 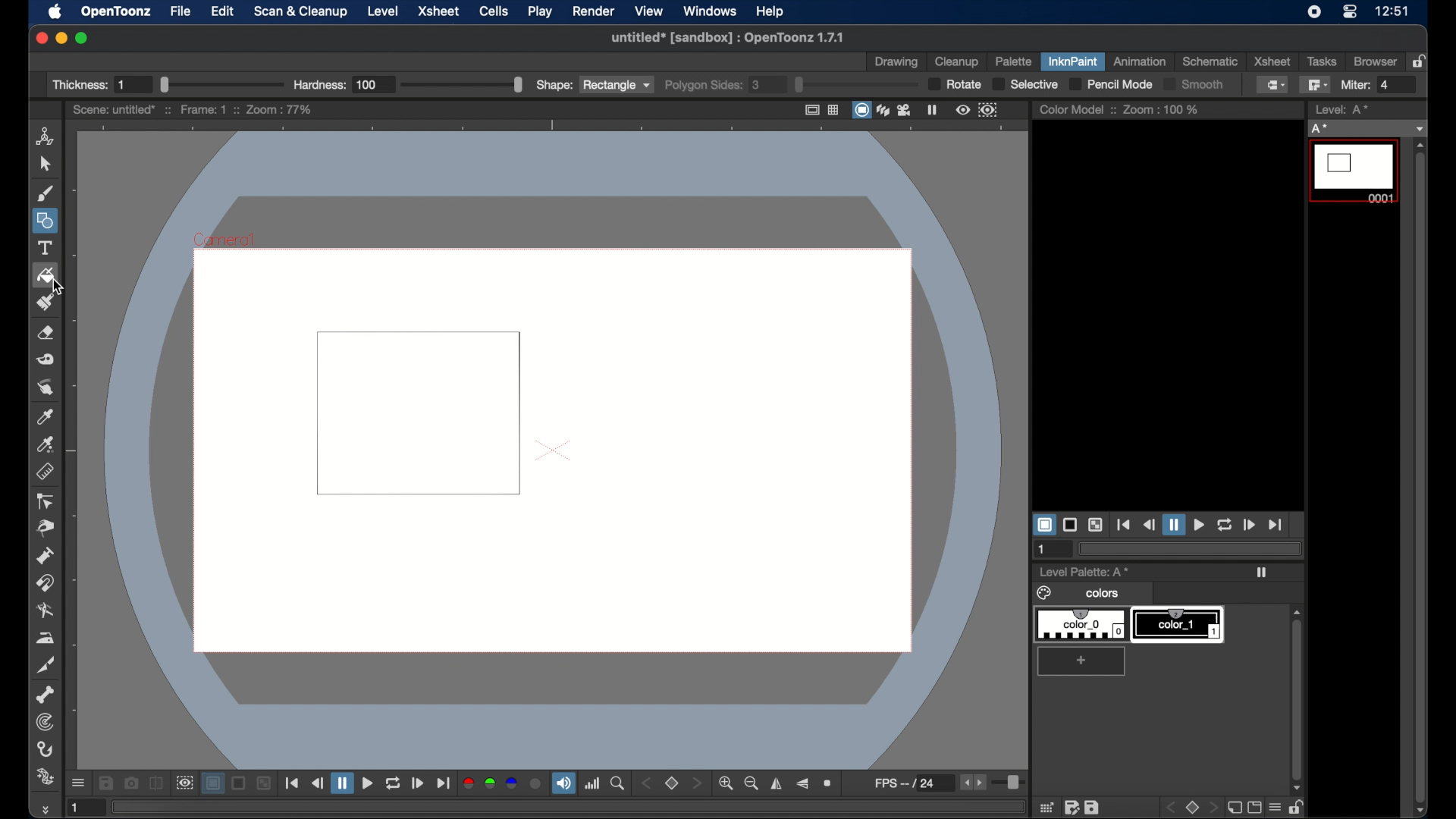 What do you see at coordinates (492, 11) in the screenshot?
I see `cells` at bounding box center [492, 11].